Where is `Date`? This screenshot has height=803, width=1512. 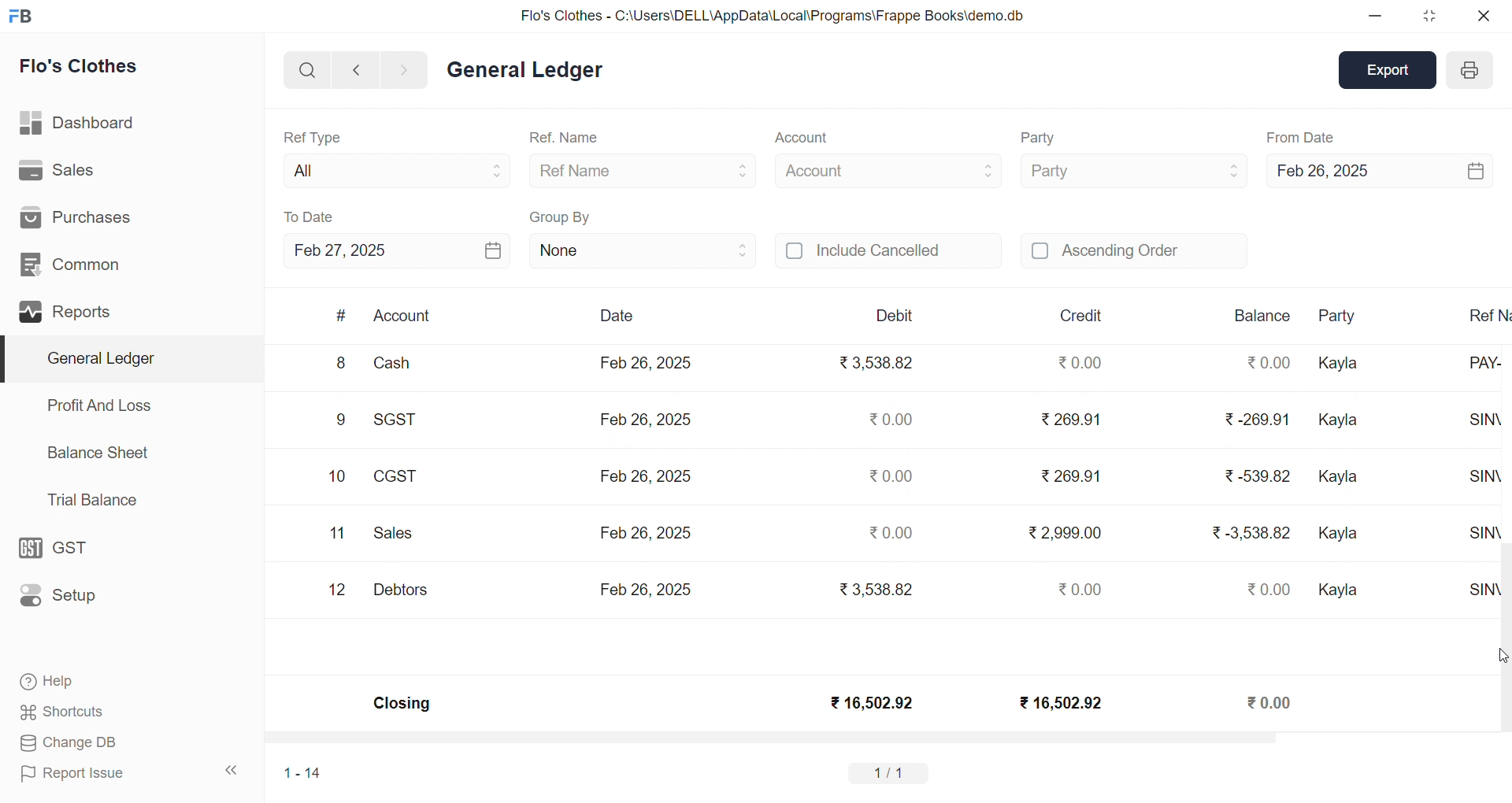
Date is located at coordinates (616, 316).